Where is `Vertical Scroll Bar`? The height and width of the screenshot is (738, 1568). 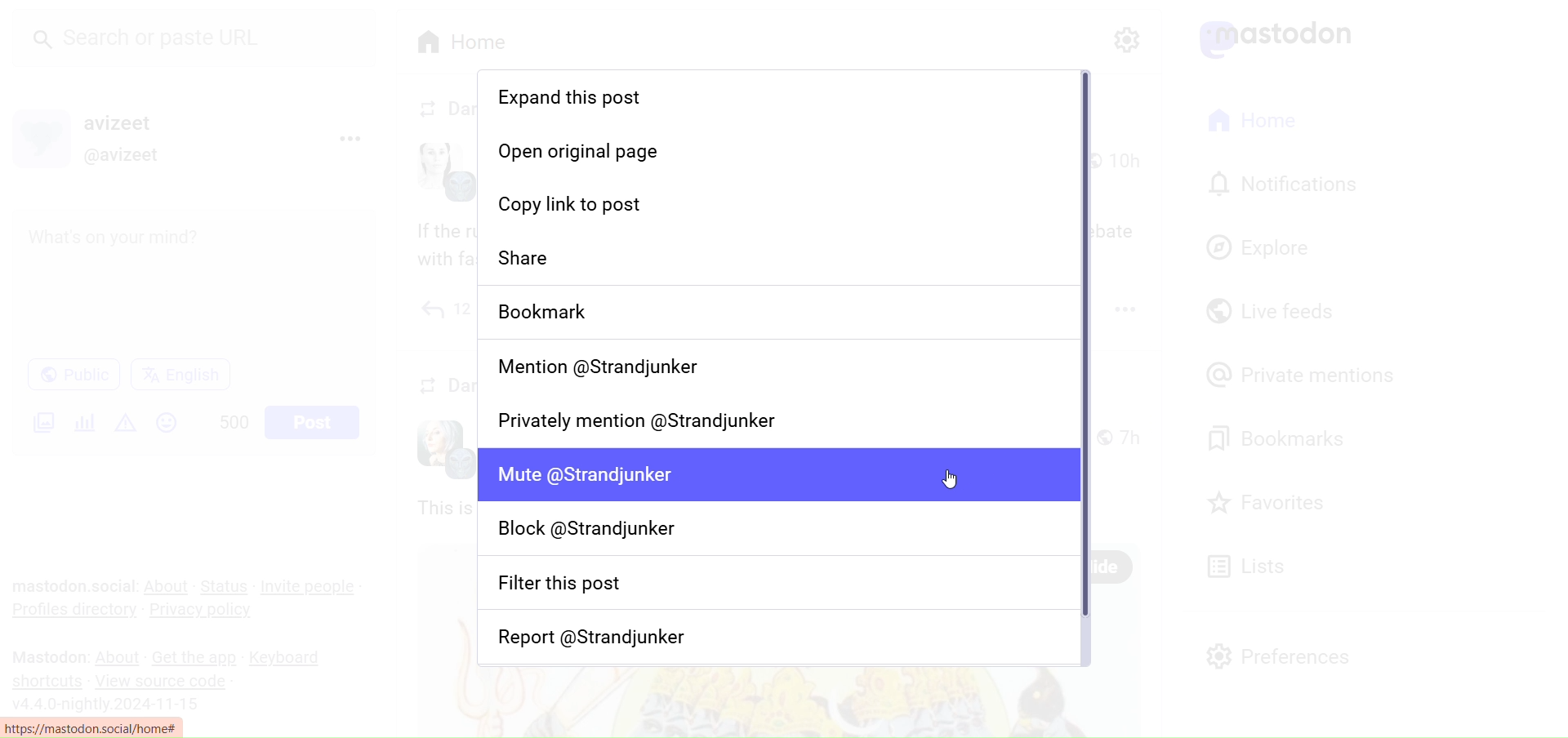 Vertical Scroll Bar is located at coordinates (1092, 371).